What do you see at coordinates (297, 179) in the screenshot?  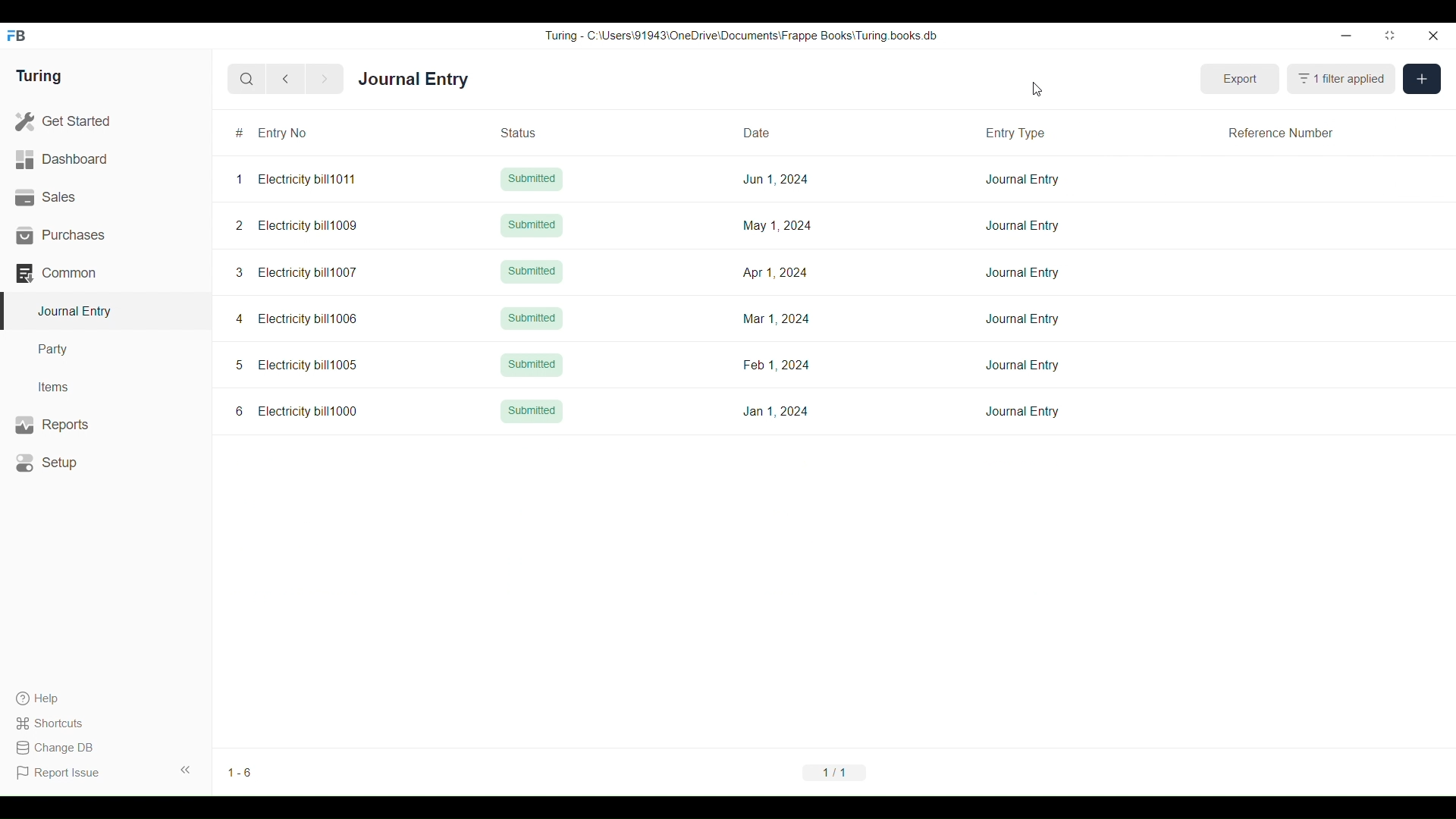 I see `1 Electricity bill1011` at bounding box center [297, 179].